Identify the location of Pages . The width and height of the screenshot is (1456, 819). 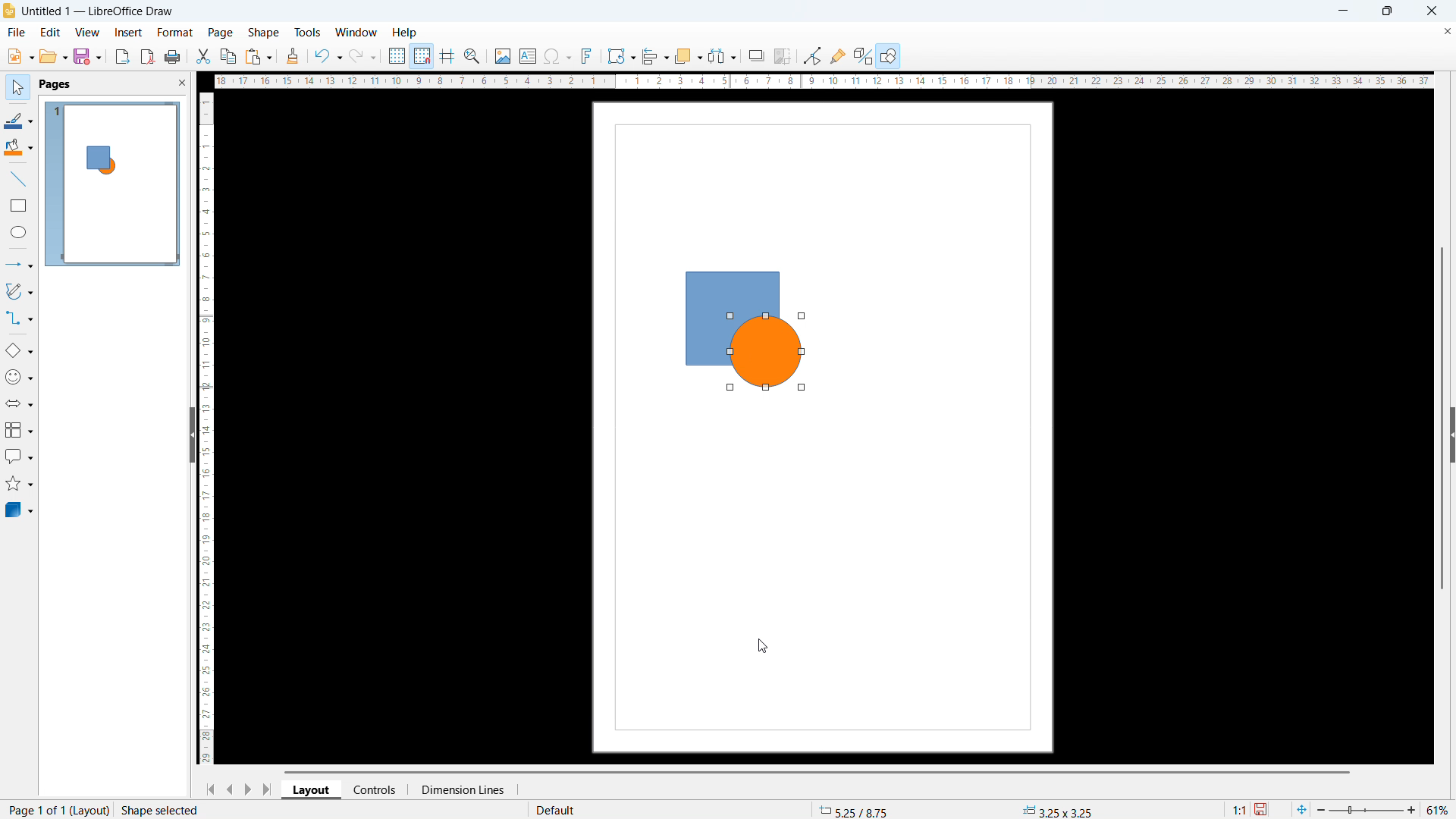
(55, 83).